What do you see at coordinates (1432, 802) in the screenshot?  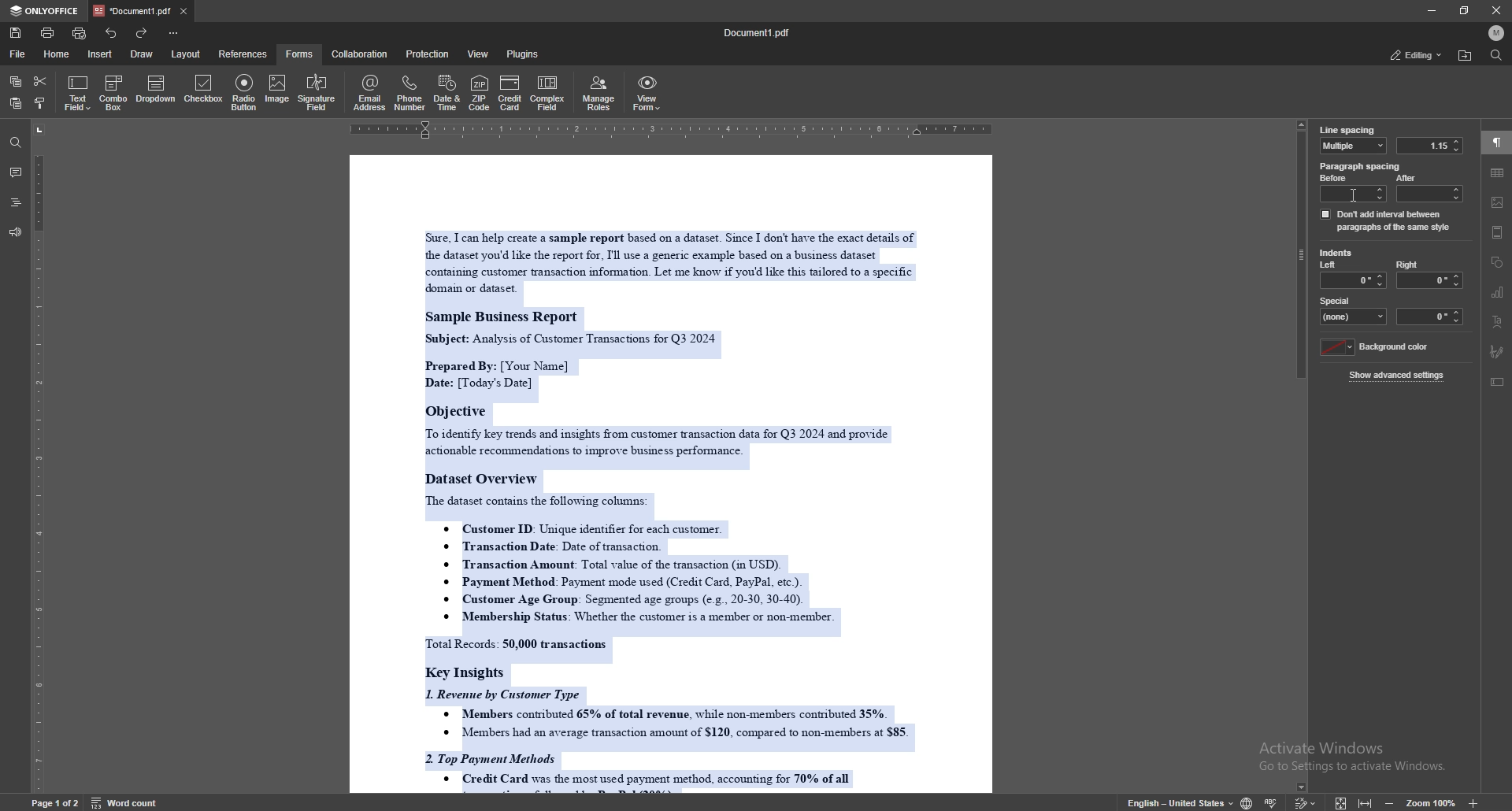 I see `zoom` at bounding box center [1432, 802].